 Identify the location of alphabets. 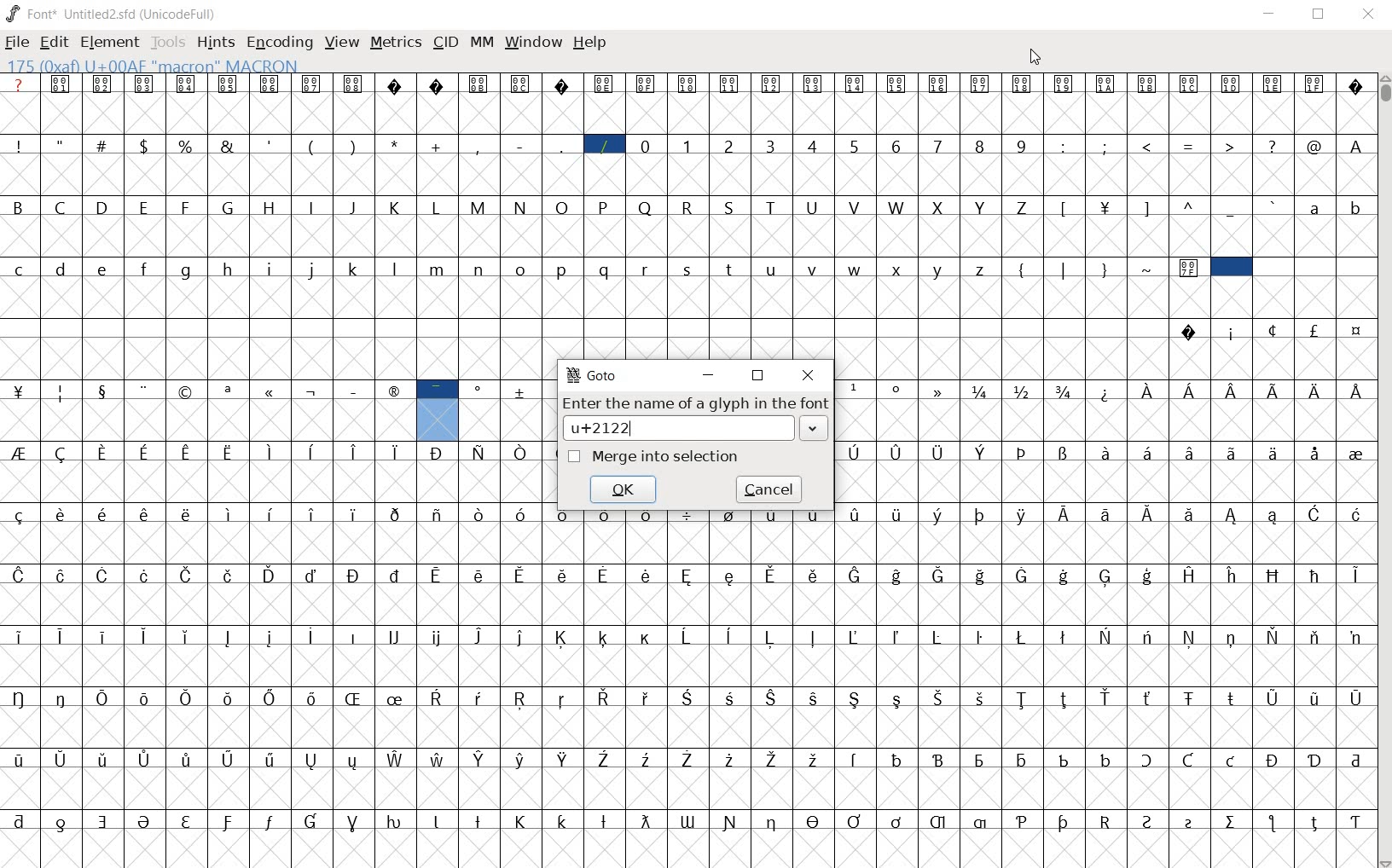
(520, 226).